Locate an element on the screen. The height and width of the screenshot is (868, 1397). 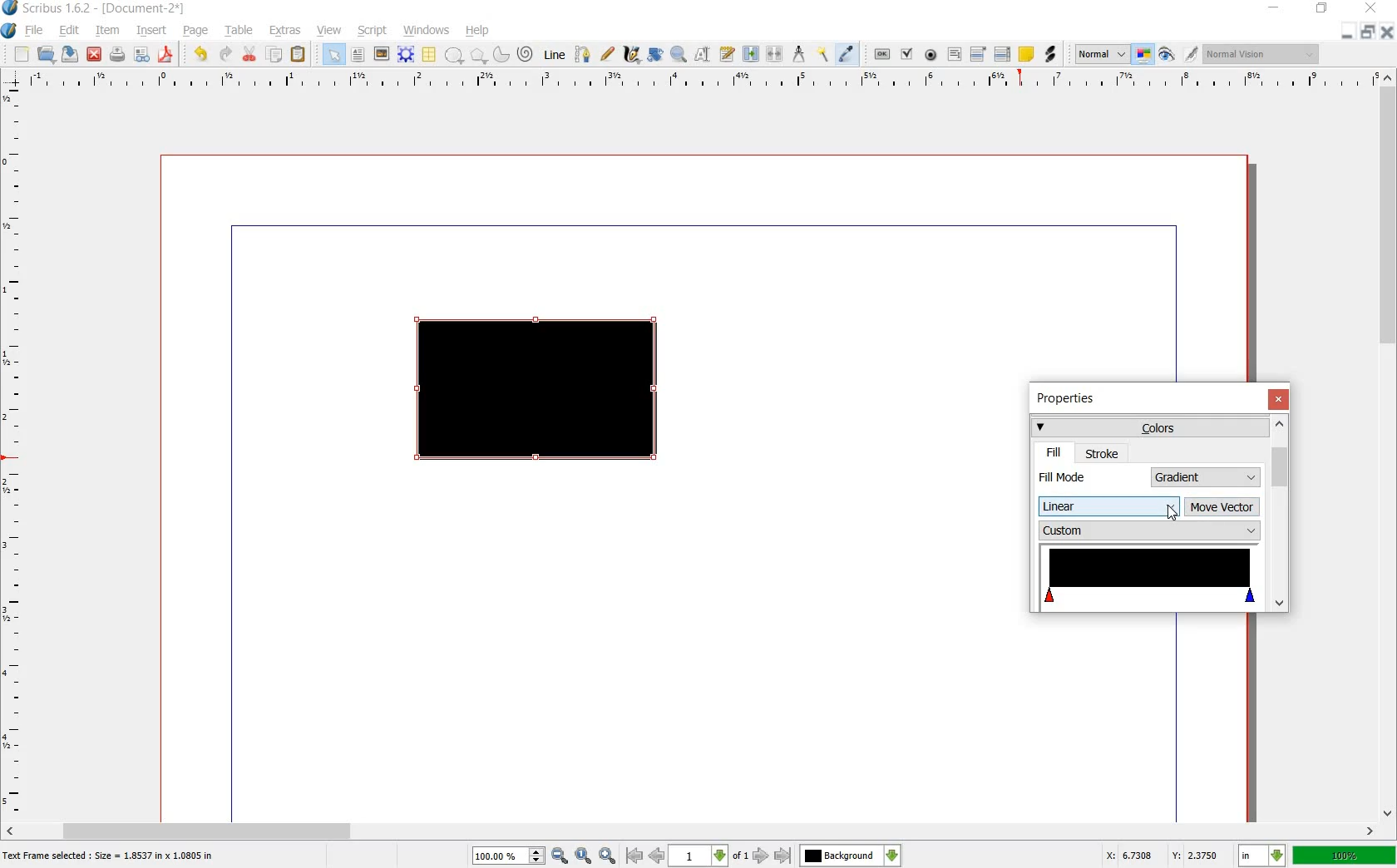
bezier curve is located at coordinates (584, 56).